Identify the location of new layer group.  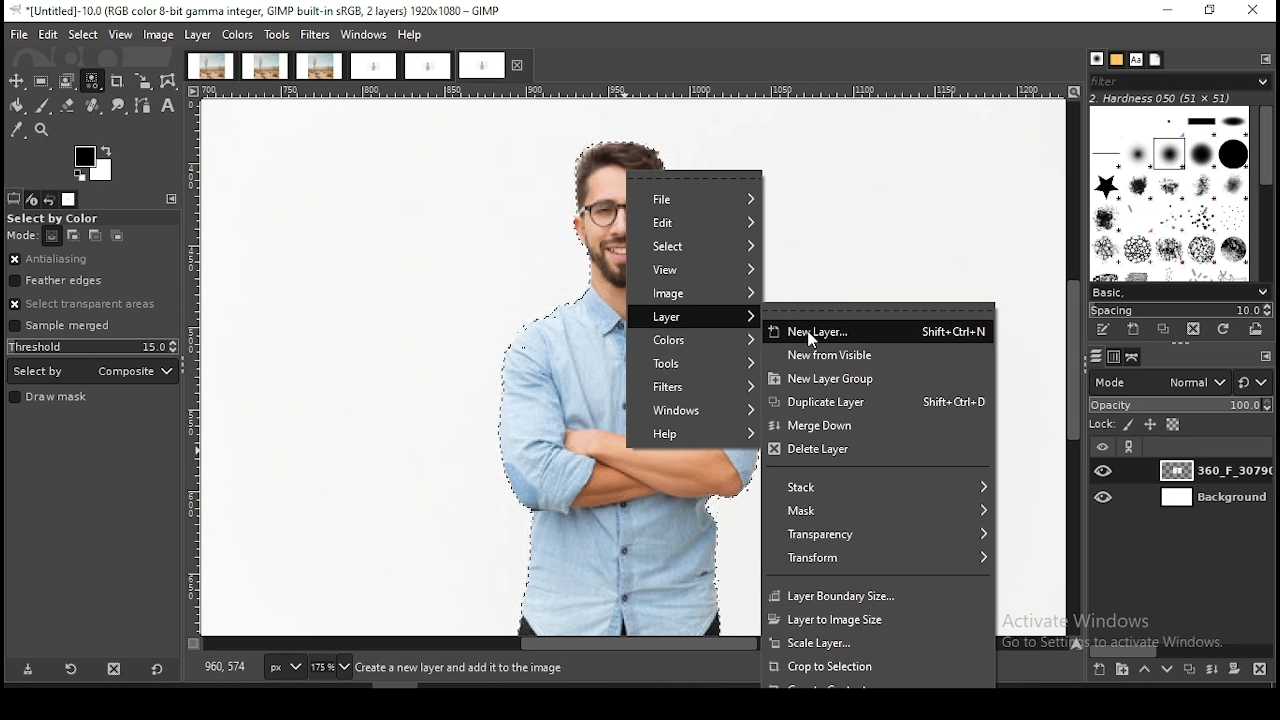
(877, 378).